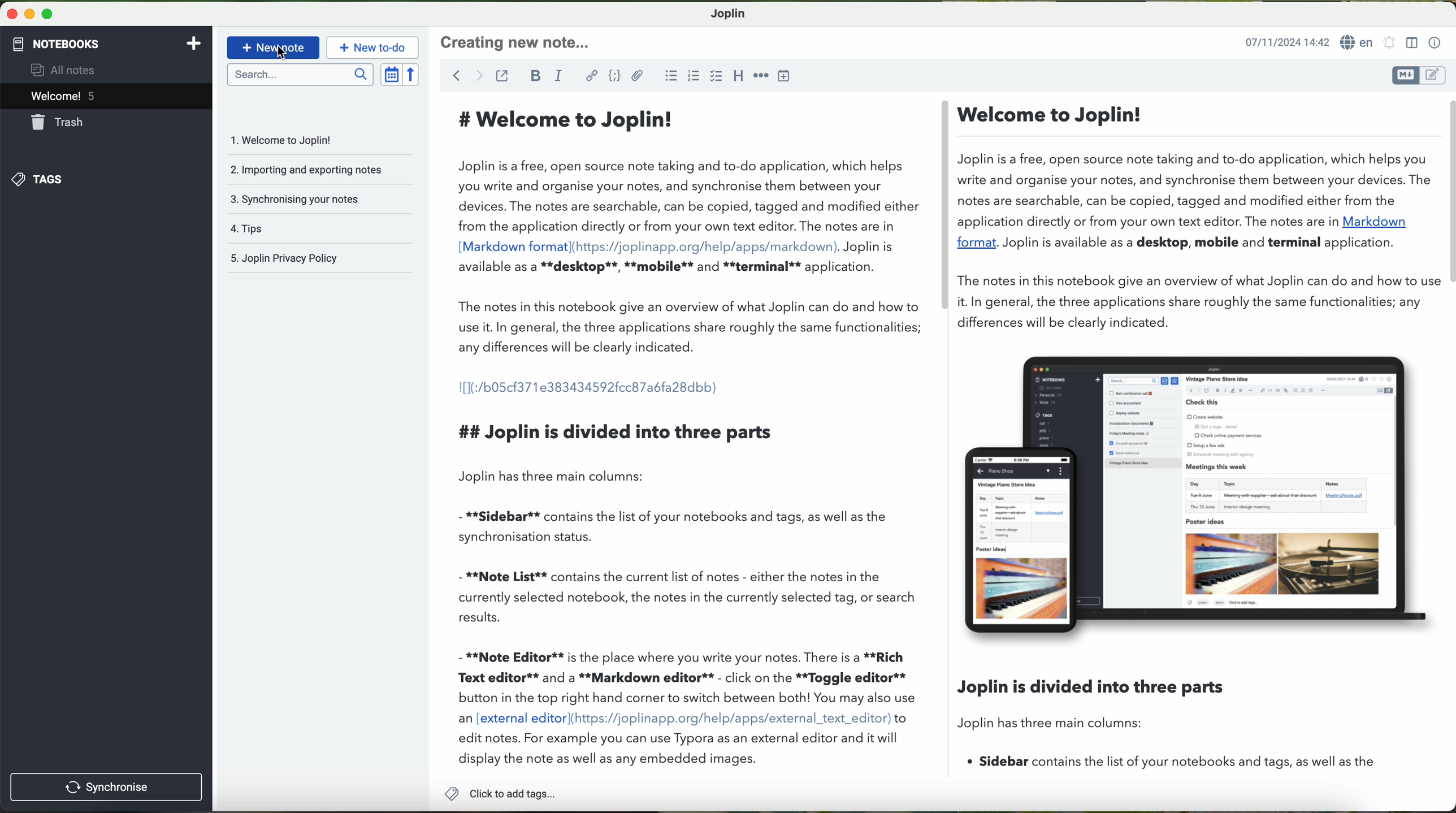  Describe the element at coordinates (787, 75) in the screenshot. I see `insert time` at that location.